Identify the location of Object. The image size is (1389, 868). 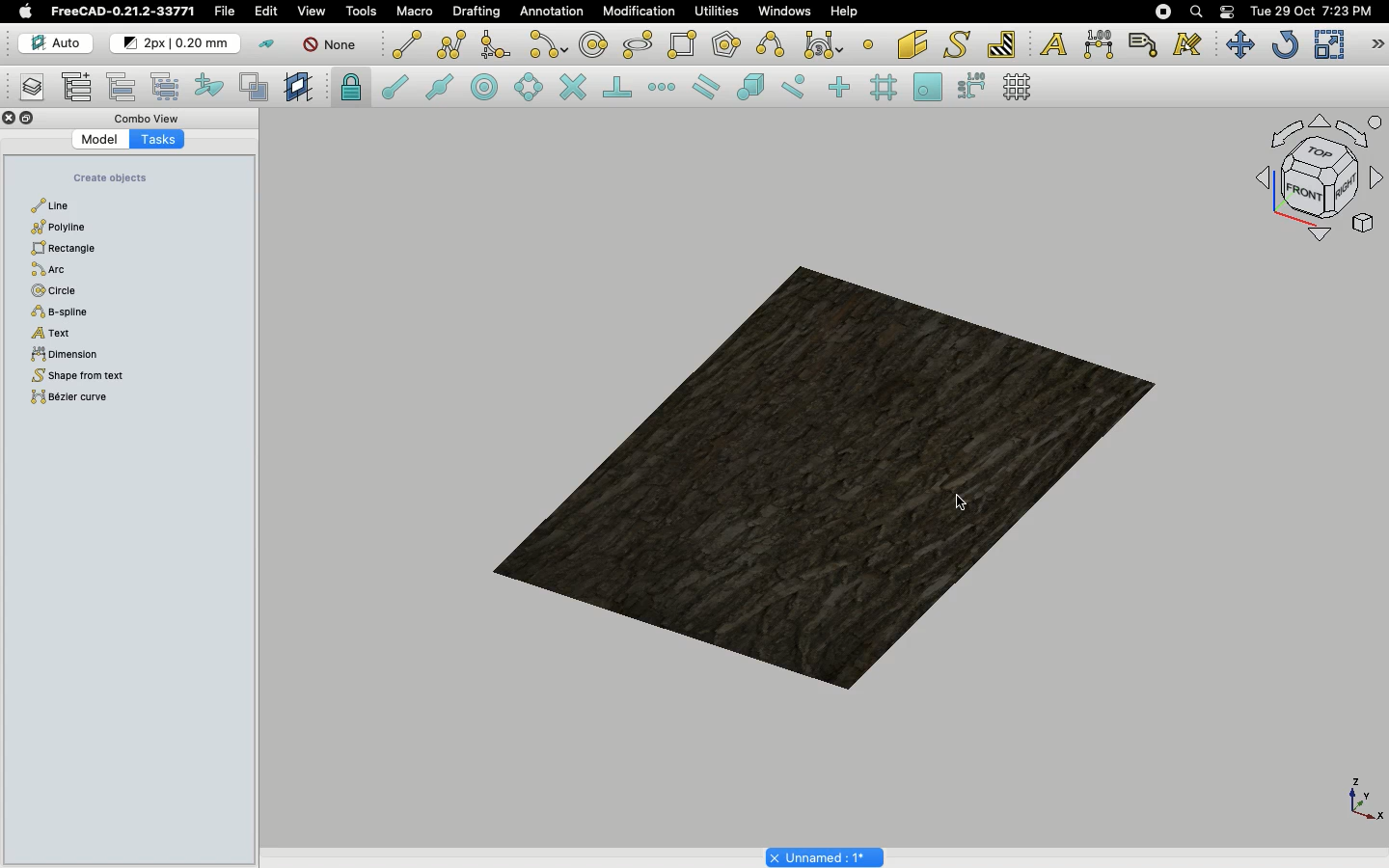
(803, 446).